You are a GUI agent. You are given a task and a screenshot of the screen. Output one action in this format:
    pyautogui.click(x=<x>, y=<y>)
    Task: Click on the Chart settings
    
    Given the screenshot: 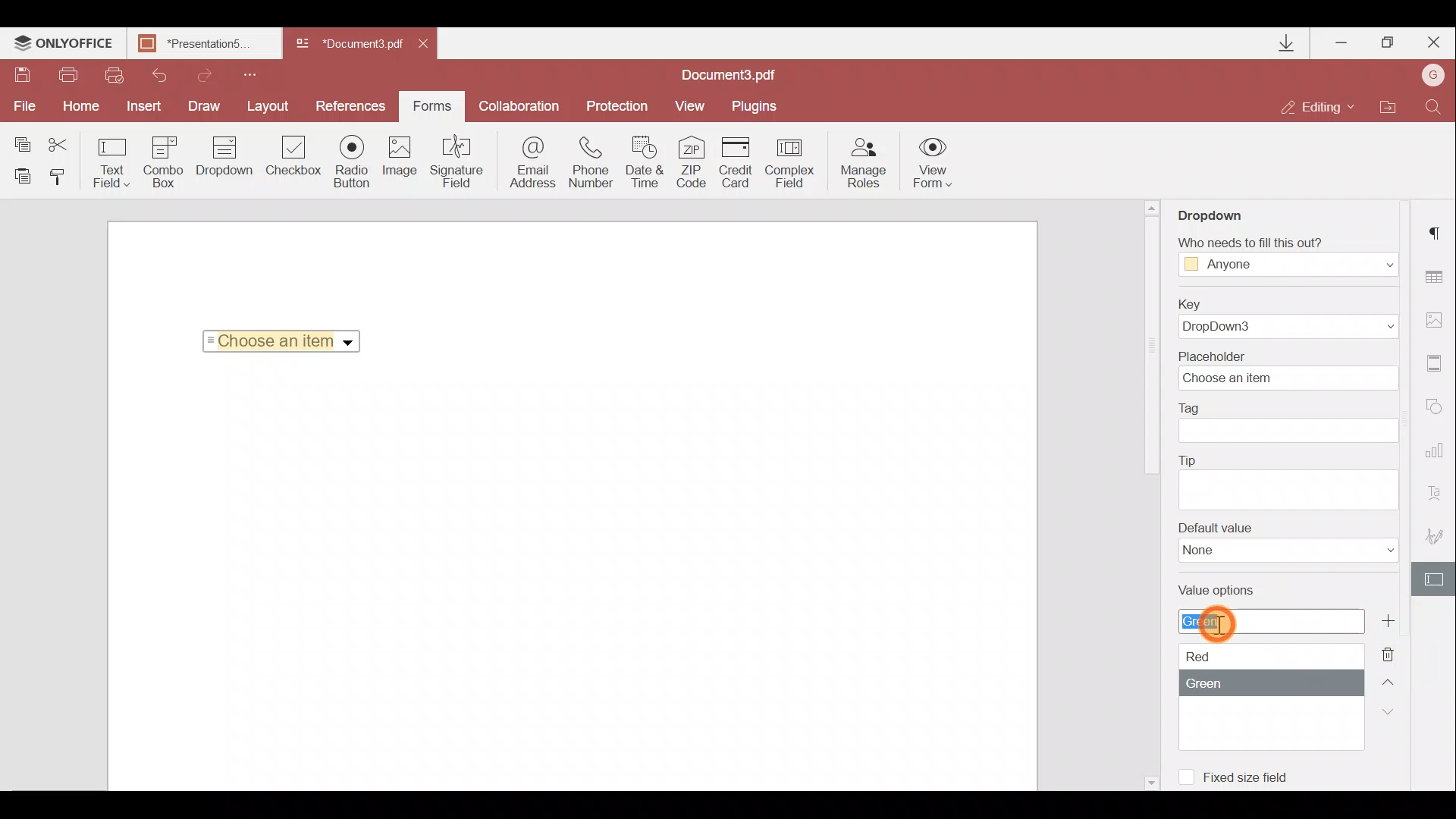 What is the action you would take?
    pyautogui.click(x=1438, y=450)
    